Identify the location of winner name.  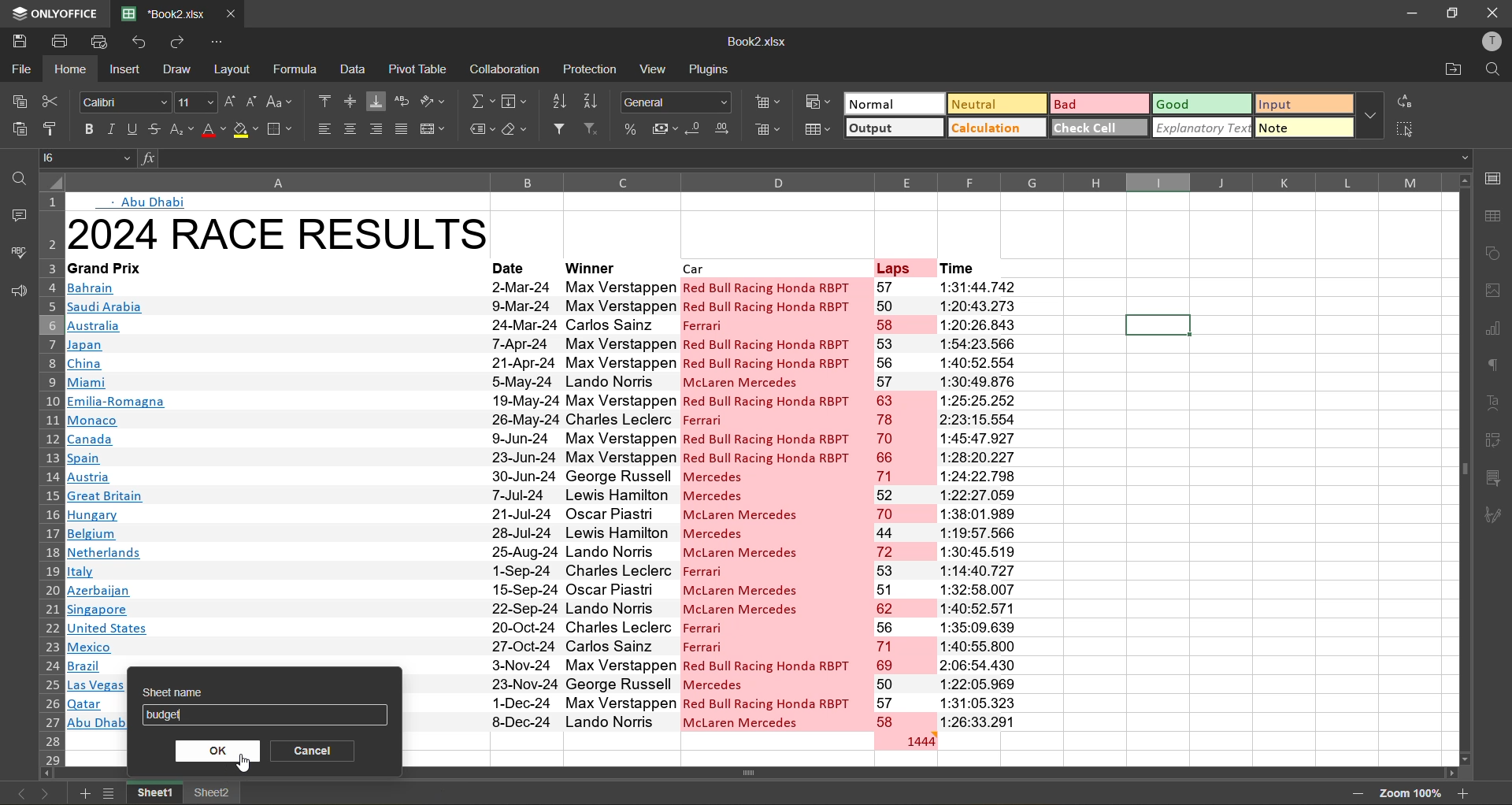
(621, 502).